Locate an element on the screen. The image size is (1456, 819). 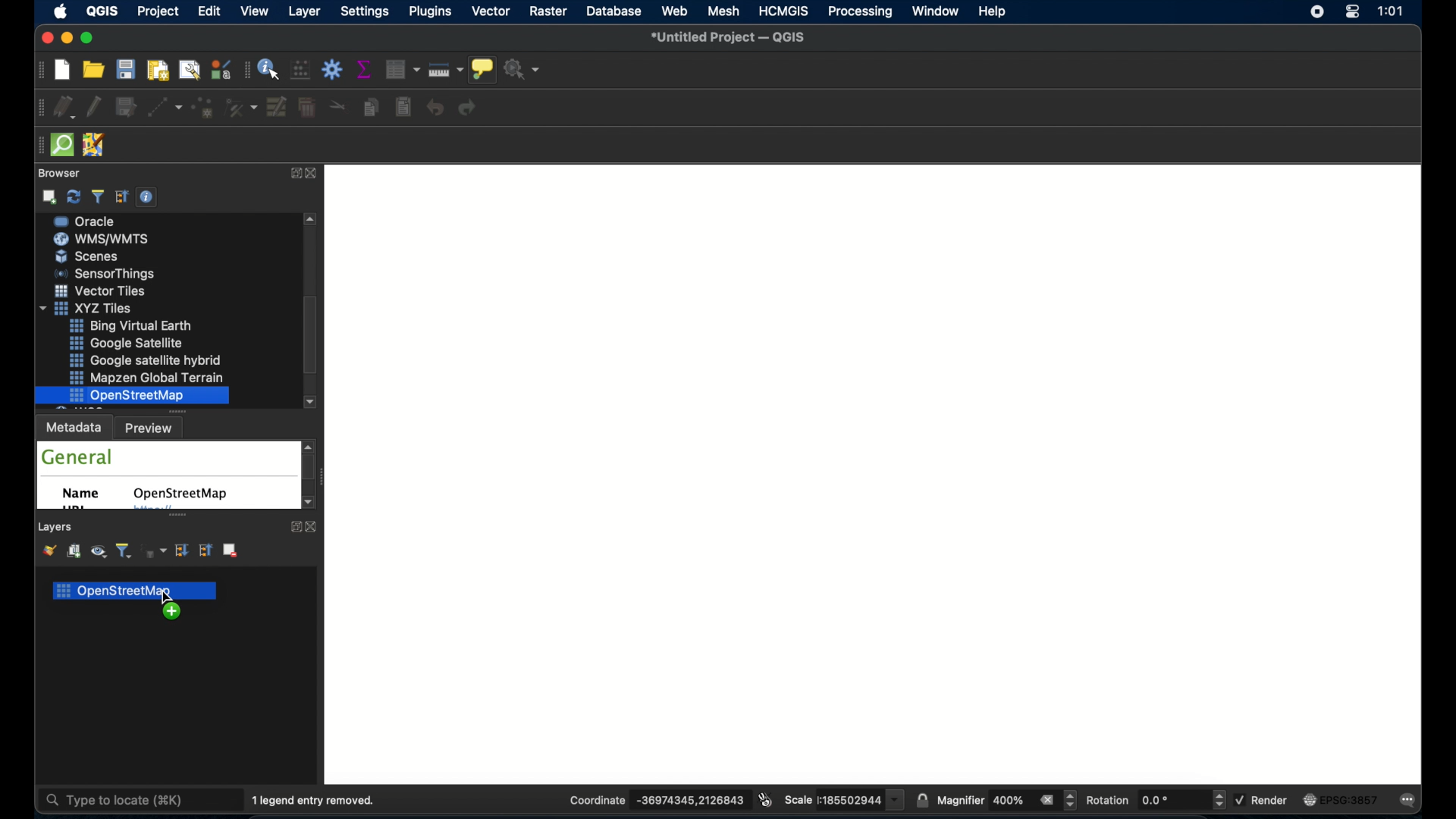
add point feature is located at coordinates (204, 108).